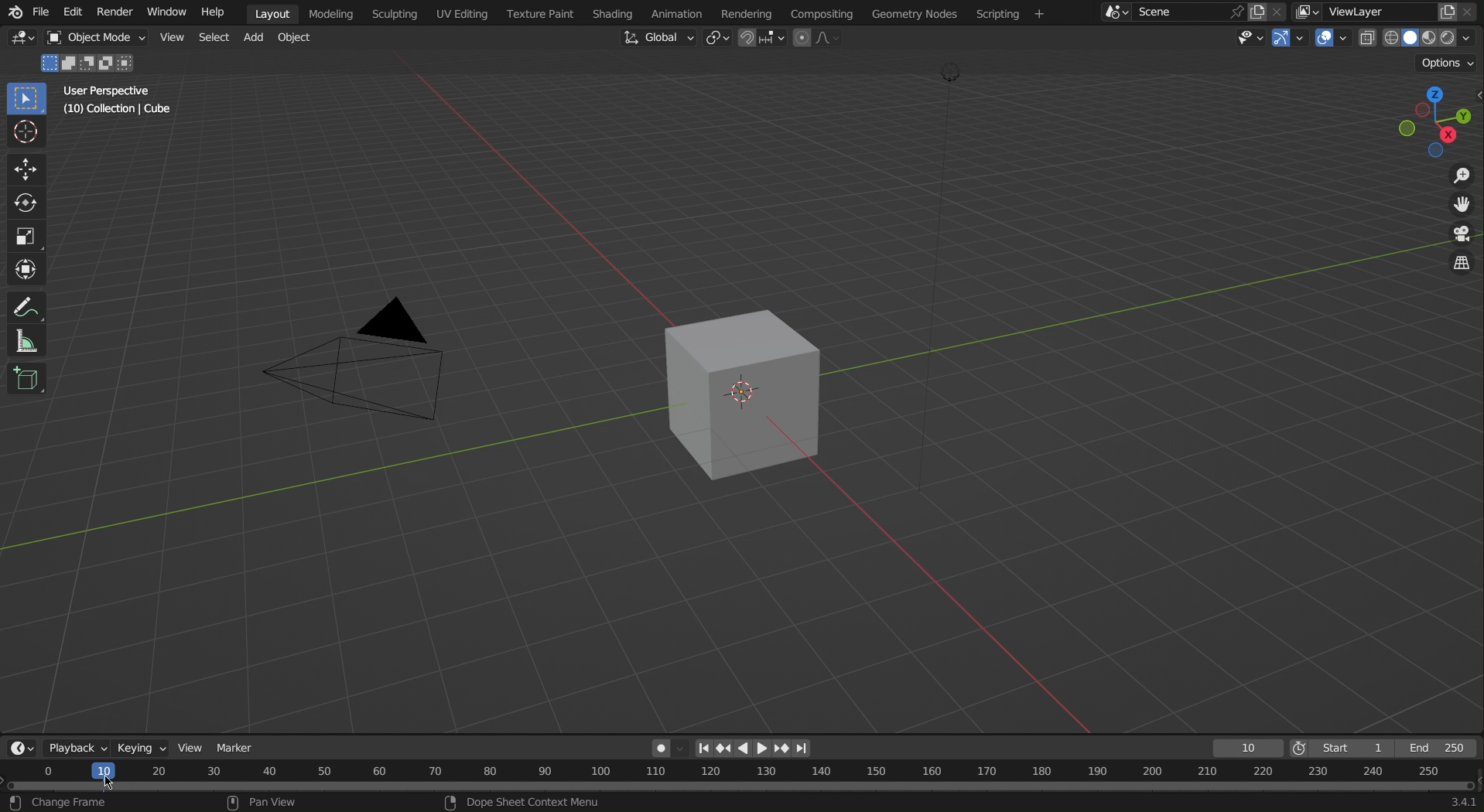 This screenshot has height=812, width=1484. Describe the element at coordinates (1175, 14) in the screenshot. I see `Scene` at that location.